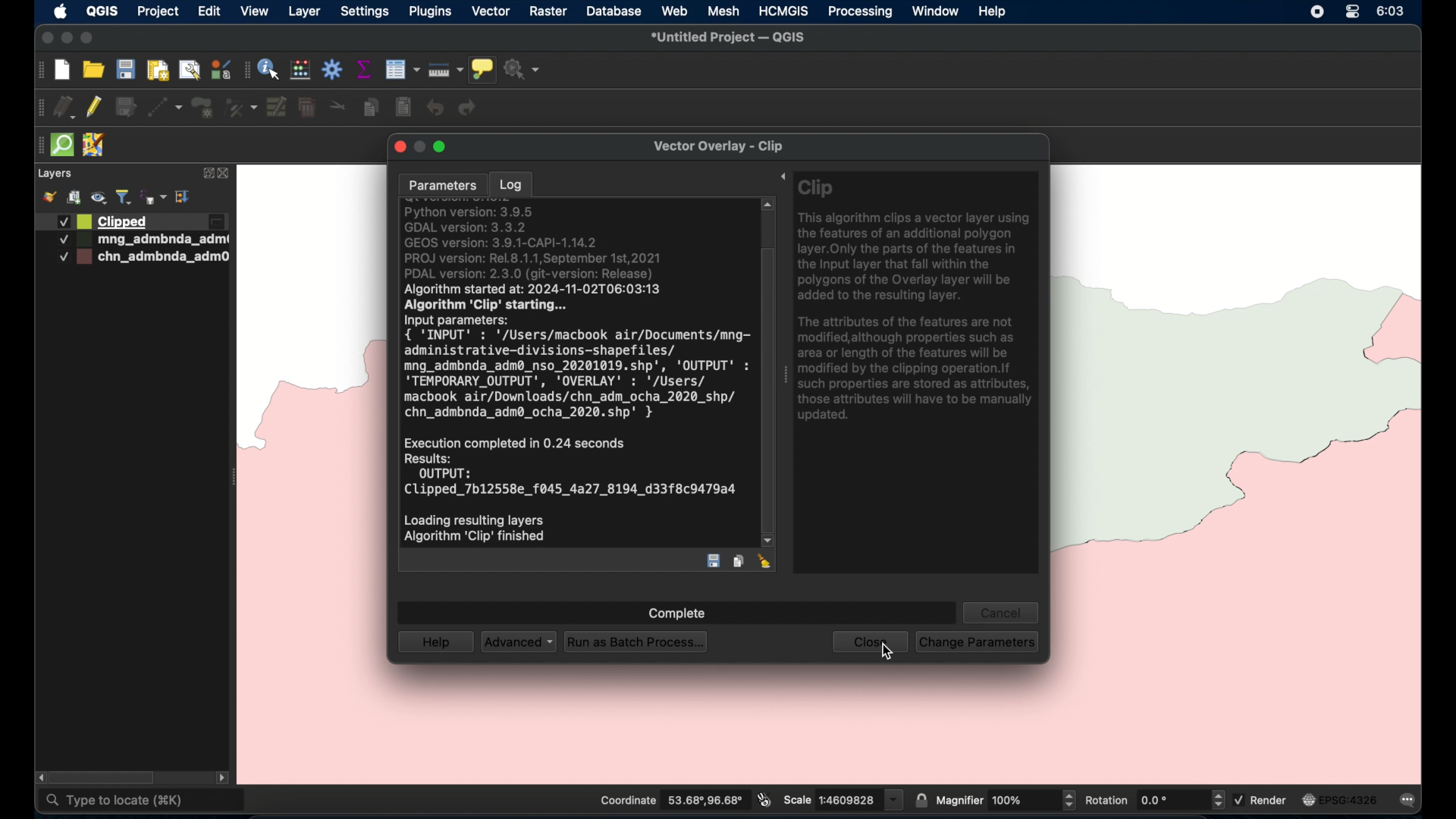 The width and height of the screenshot is (1456, 819). I want to click on  mng_admbnda admo , so click(140, 240).